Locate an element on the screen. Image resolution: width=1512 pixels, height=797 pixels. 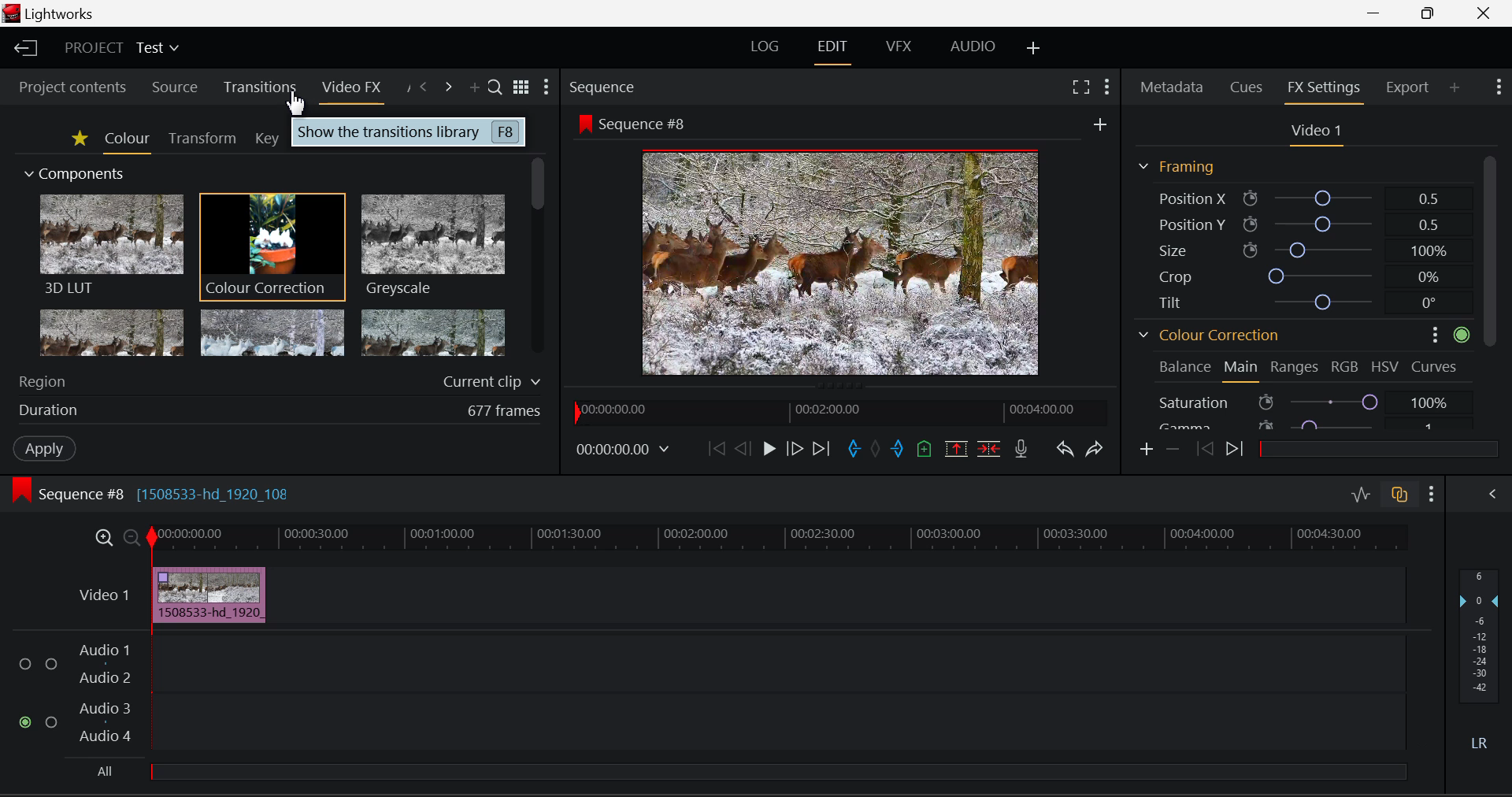
Apply is located at coordinates (46, 448).